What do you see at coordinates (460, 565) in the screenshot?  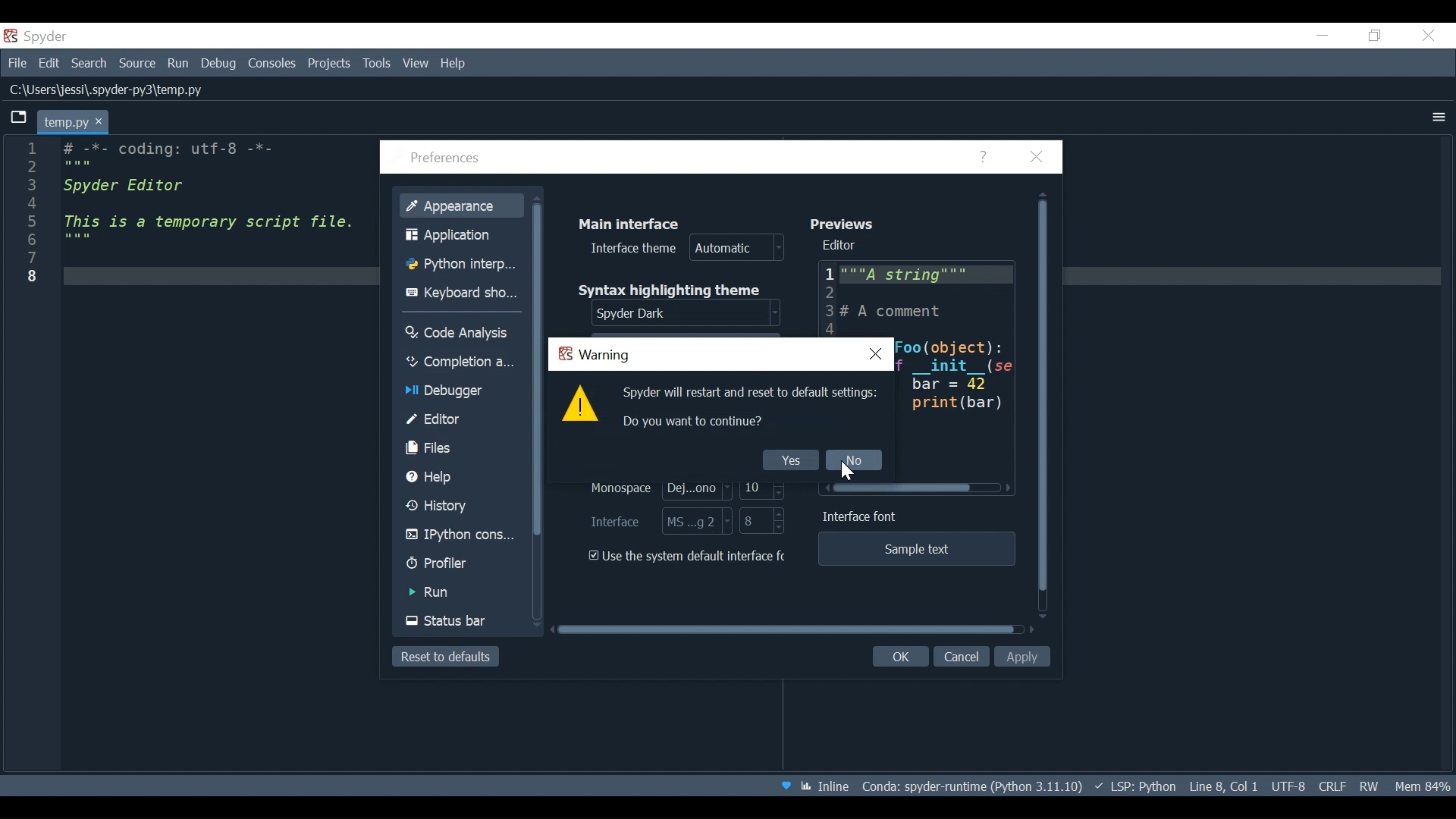 I see `Profiler` at bounding box center [460, 565].